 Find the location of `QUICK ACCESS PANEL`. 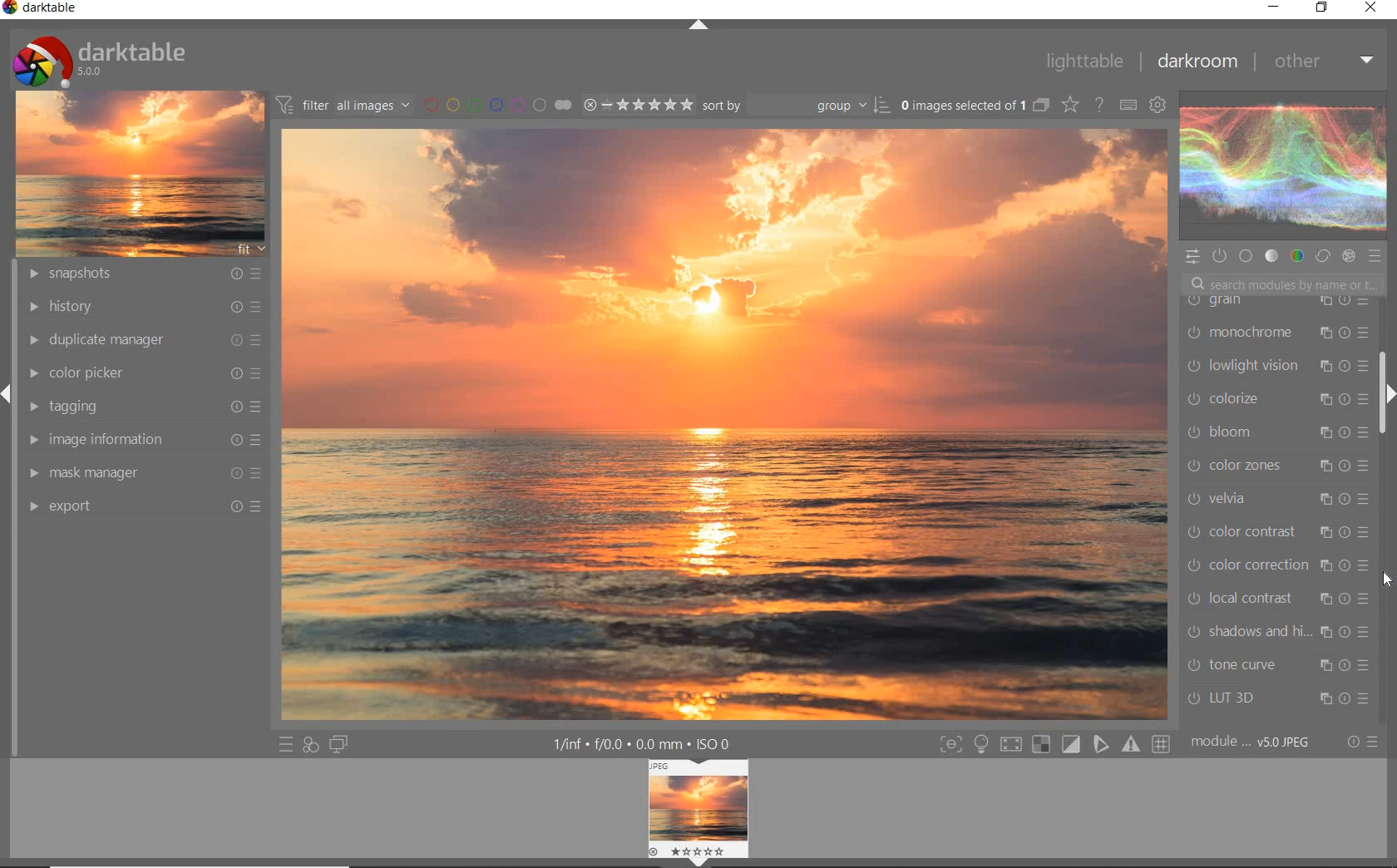

QUICK ACCESS PANEL is located at coordinates (1194, 255).